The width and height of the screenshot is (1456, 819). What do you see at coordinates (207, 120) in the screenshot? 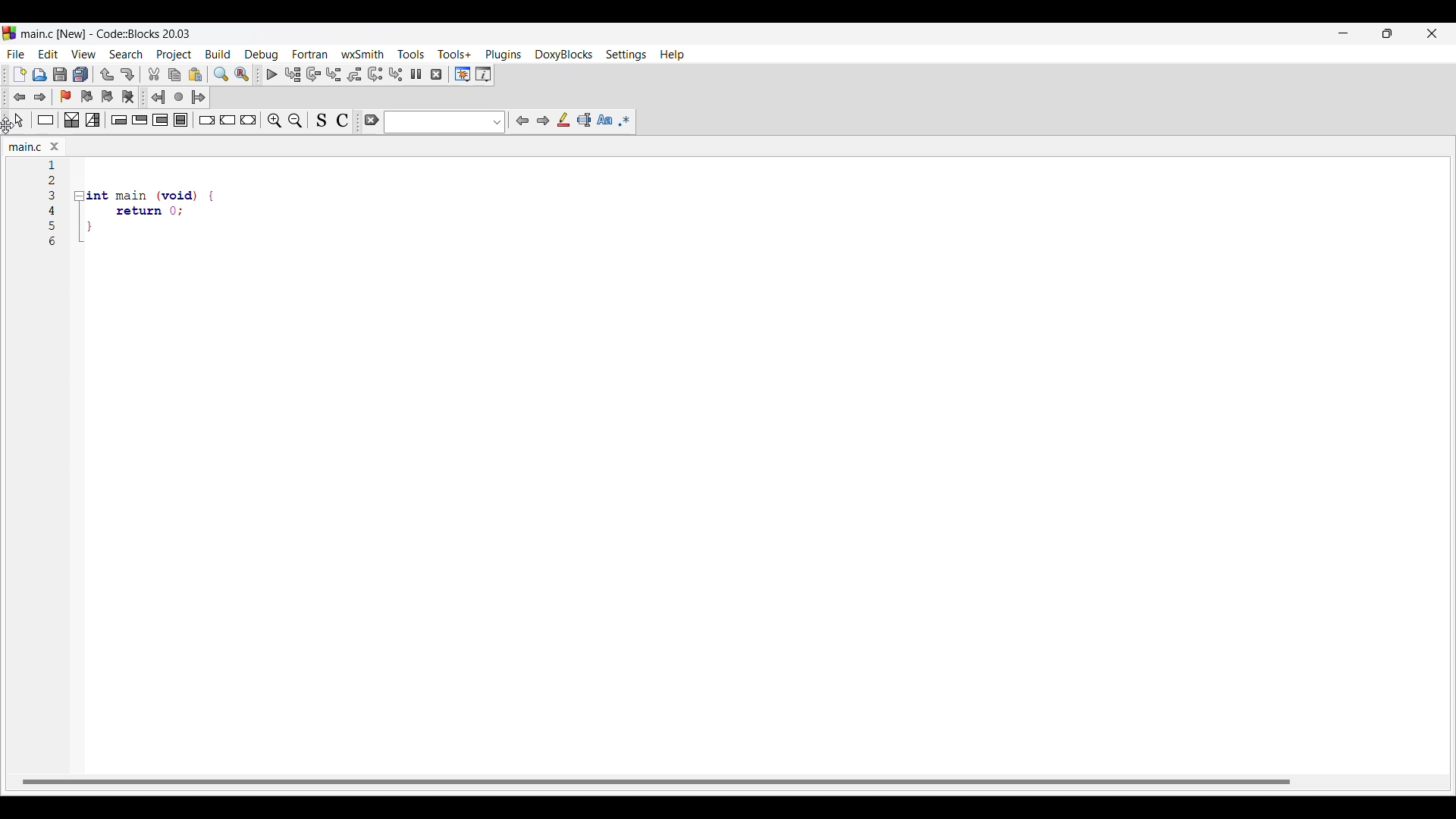
I see `Break instruction` at bounding box center [207, 120].